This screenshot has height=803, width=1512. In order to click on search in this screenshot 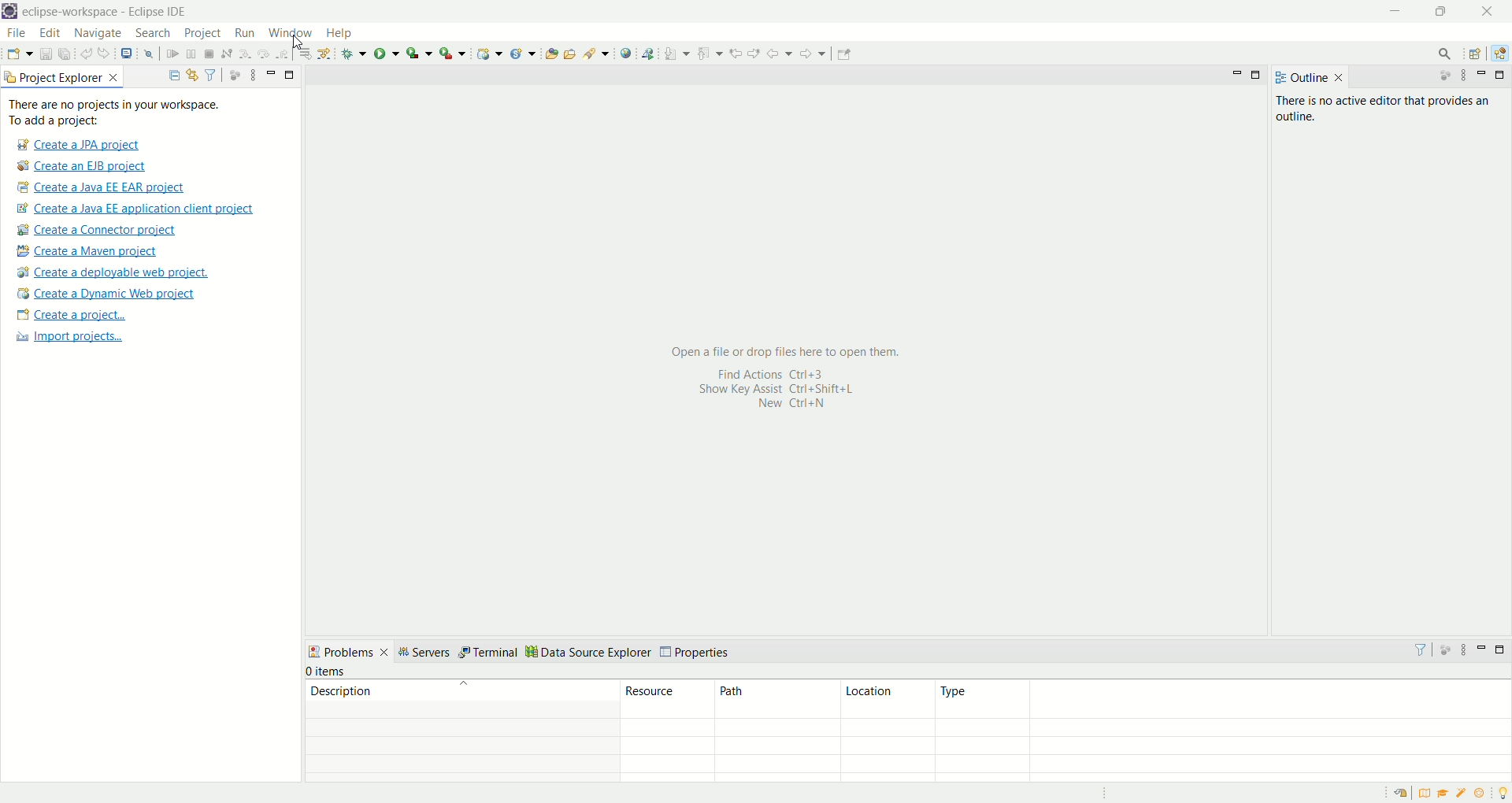, I will do `click(597, 53)`.